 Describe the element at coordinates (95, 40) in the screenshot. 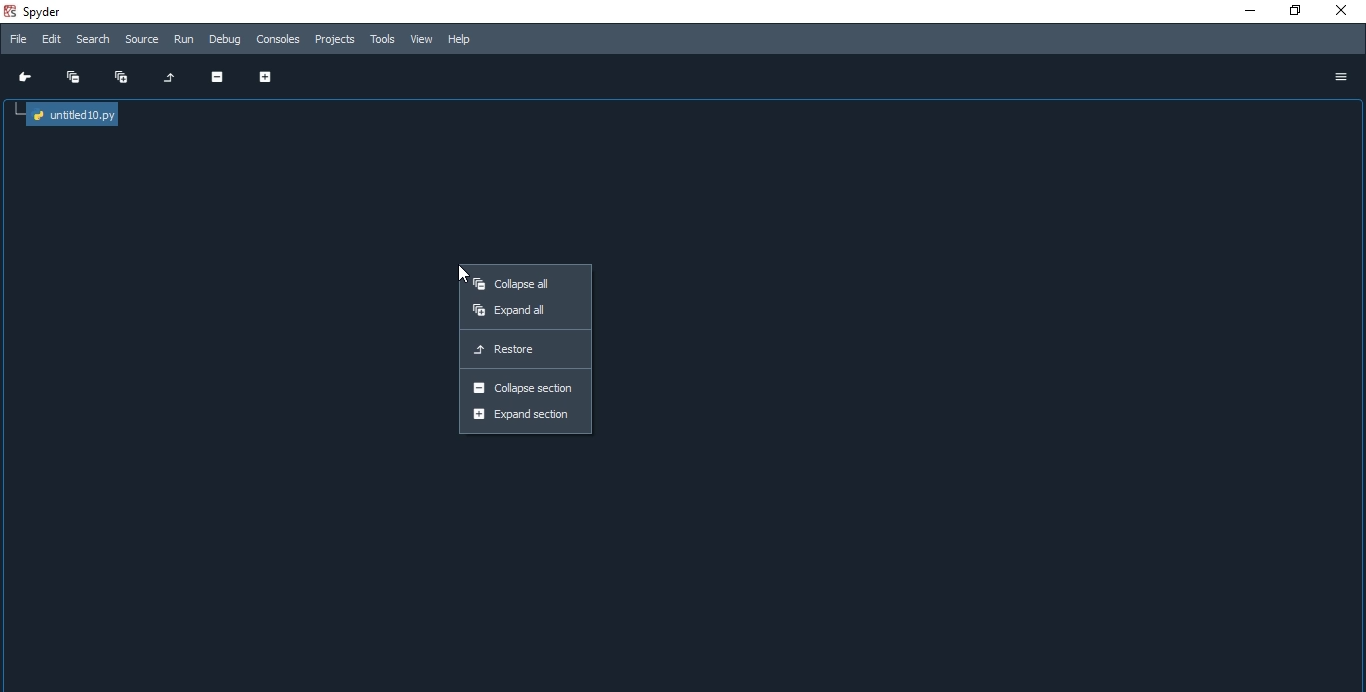

I see `Search` at that location.